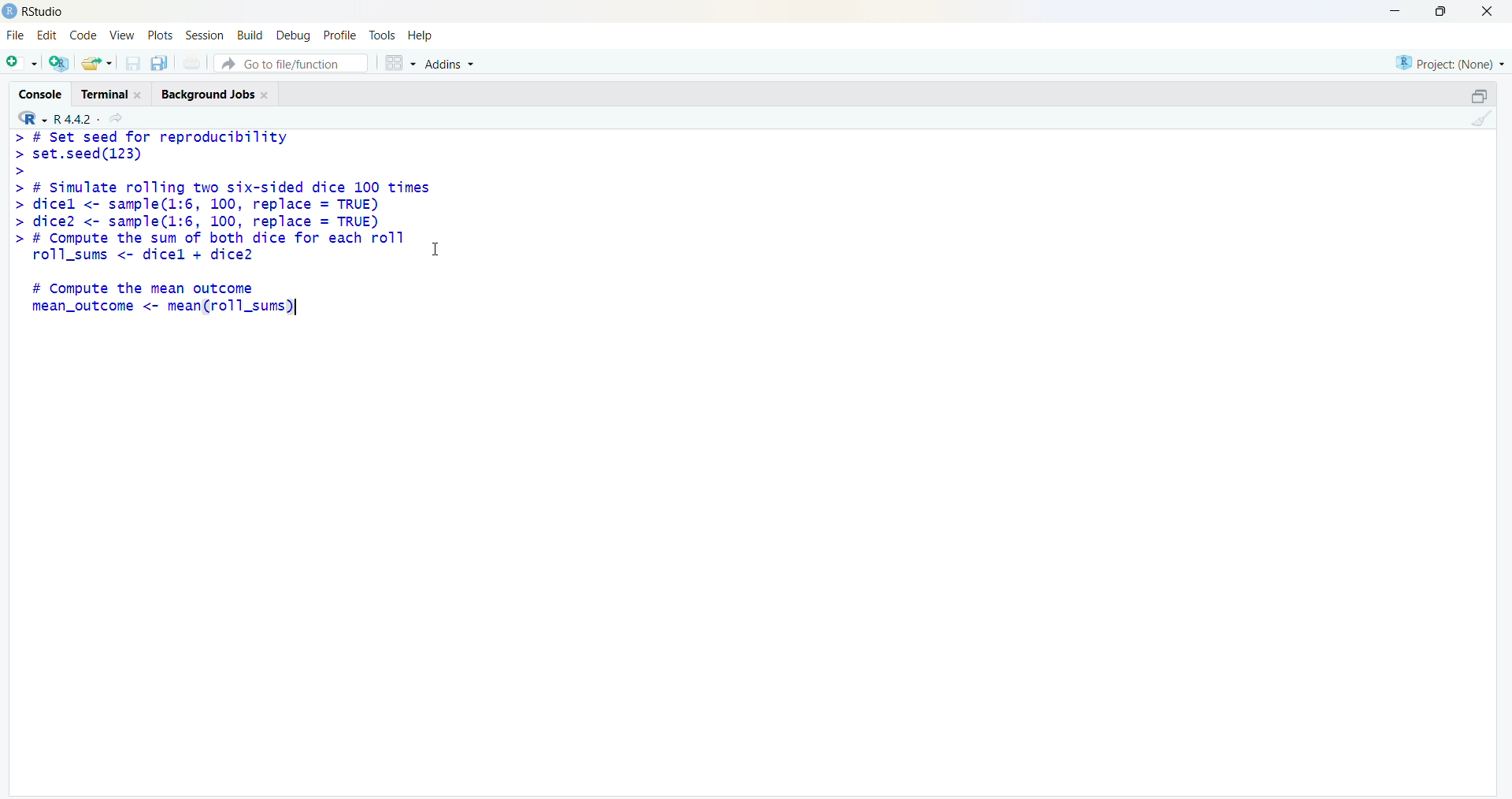 The height and width of the screenshot is (799, 1512). I want to click on > # Set seed for reproducibility> set.seed(123)>> # Simulate rolling two six-sided dice 100 times> dicel <- sample(1:6, 100, replace = TRUE)> dice2 <- sample(1:6, 100, replace = TRUE)> # Compute the sum of both dice for each rollroll_sums <- dicel + dice2# Compute the mean outcomemean_outcome <- mean(roll_sums), so click(220, 225).